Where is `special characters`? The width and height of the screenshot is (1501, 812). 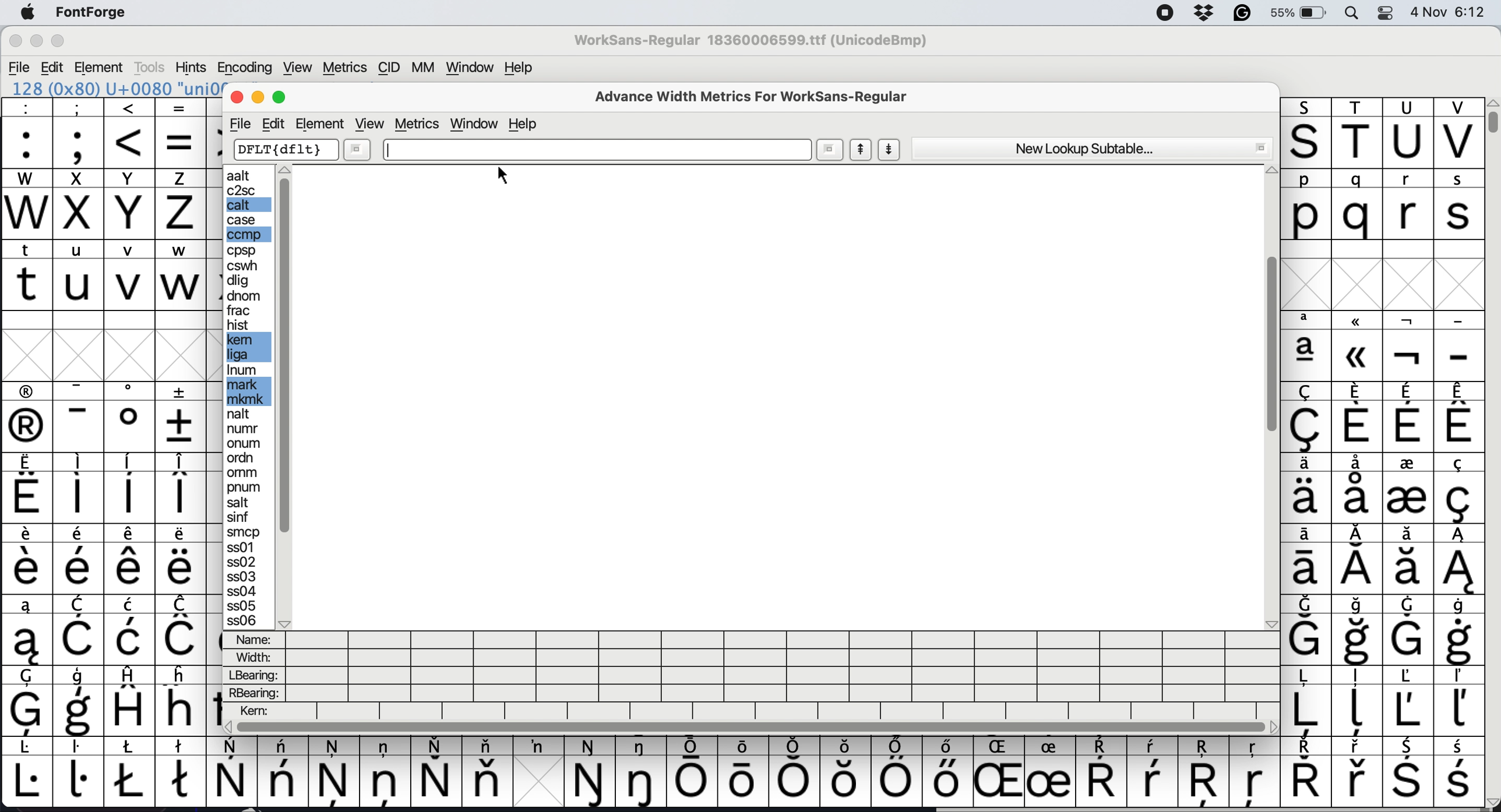 special characters is located at coordinates (111, 427).